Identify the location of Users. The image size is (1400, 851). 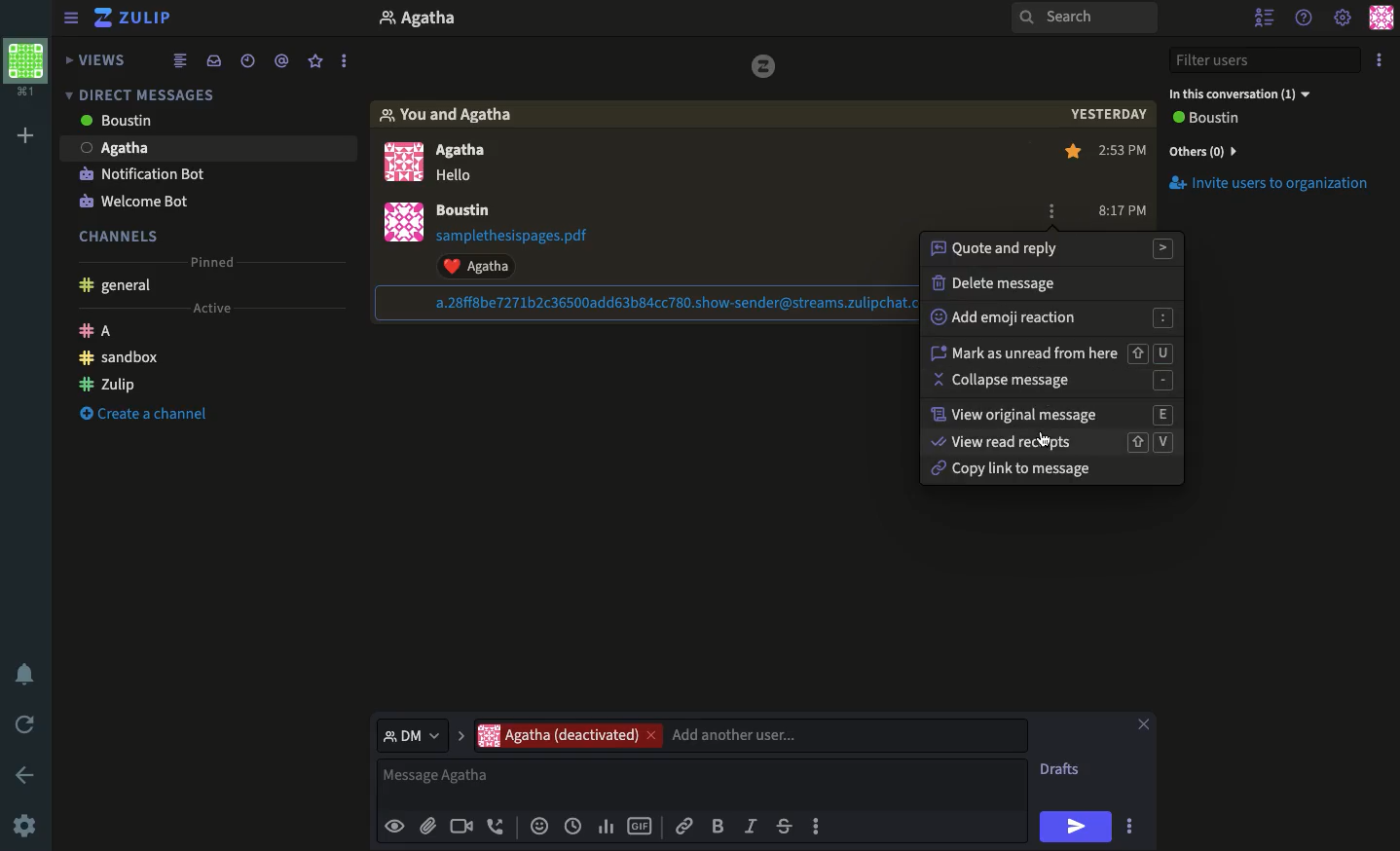
(471, 150).